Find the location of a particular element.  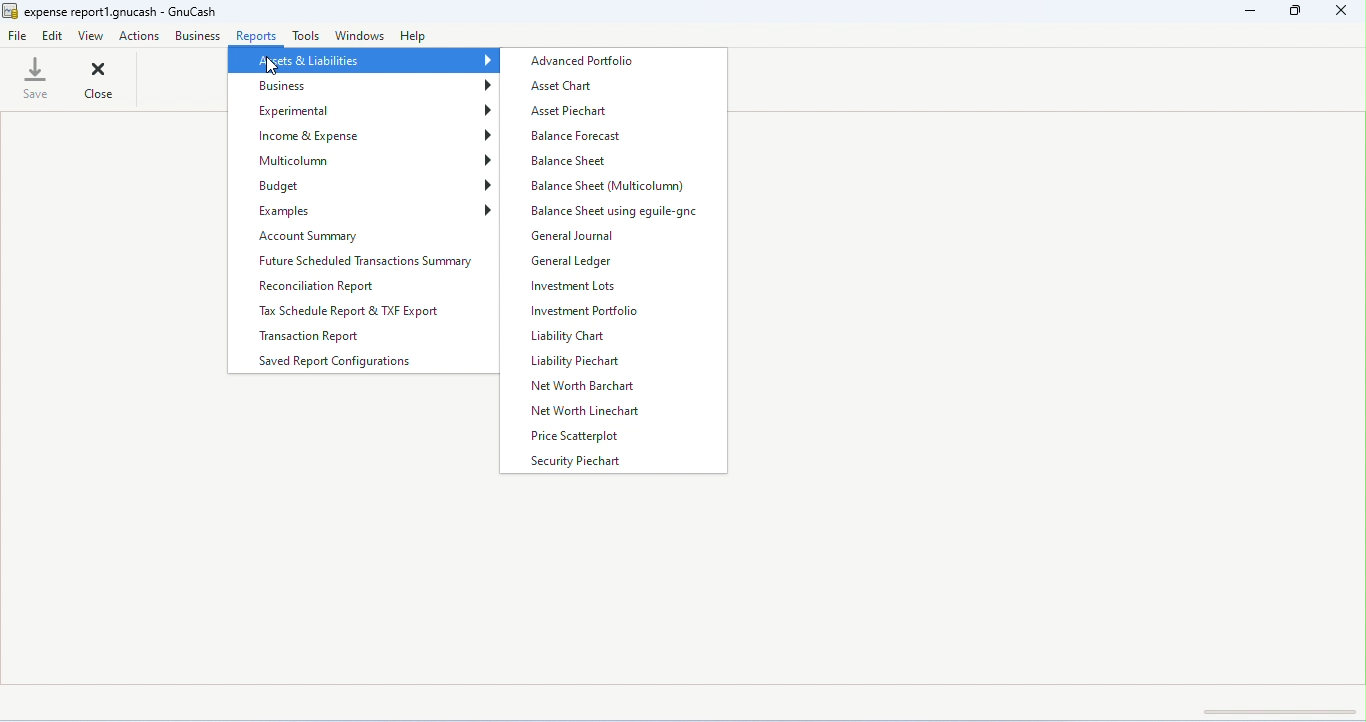

close is located at coordinates (99, 79).